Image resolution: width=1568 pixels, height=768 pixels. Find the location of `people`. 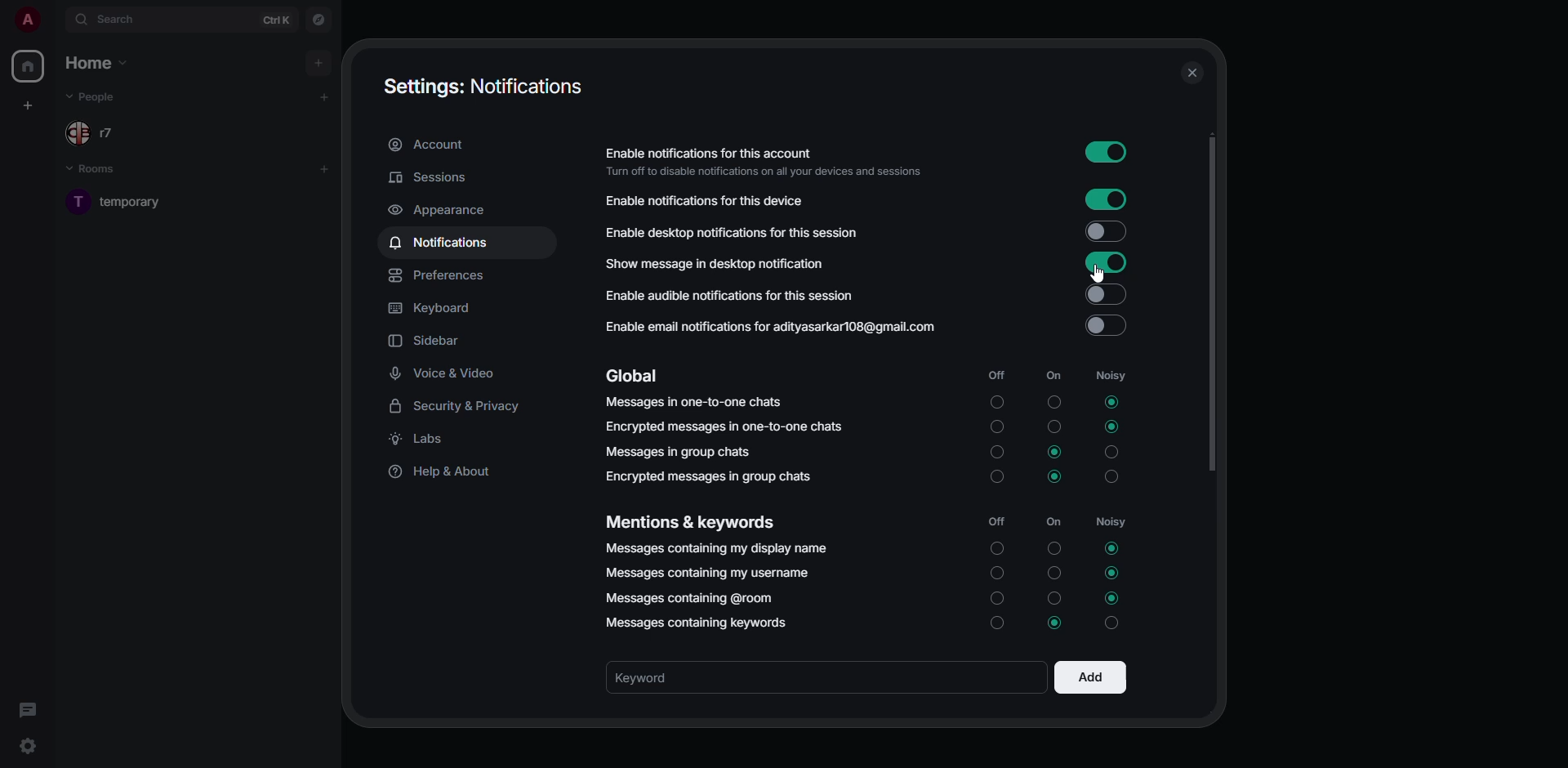

people is located at coordinates (101, 96).